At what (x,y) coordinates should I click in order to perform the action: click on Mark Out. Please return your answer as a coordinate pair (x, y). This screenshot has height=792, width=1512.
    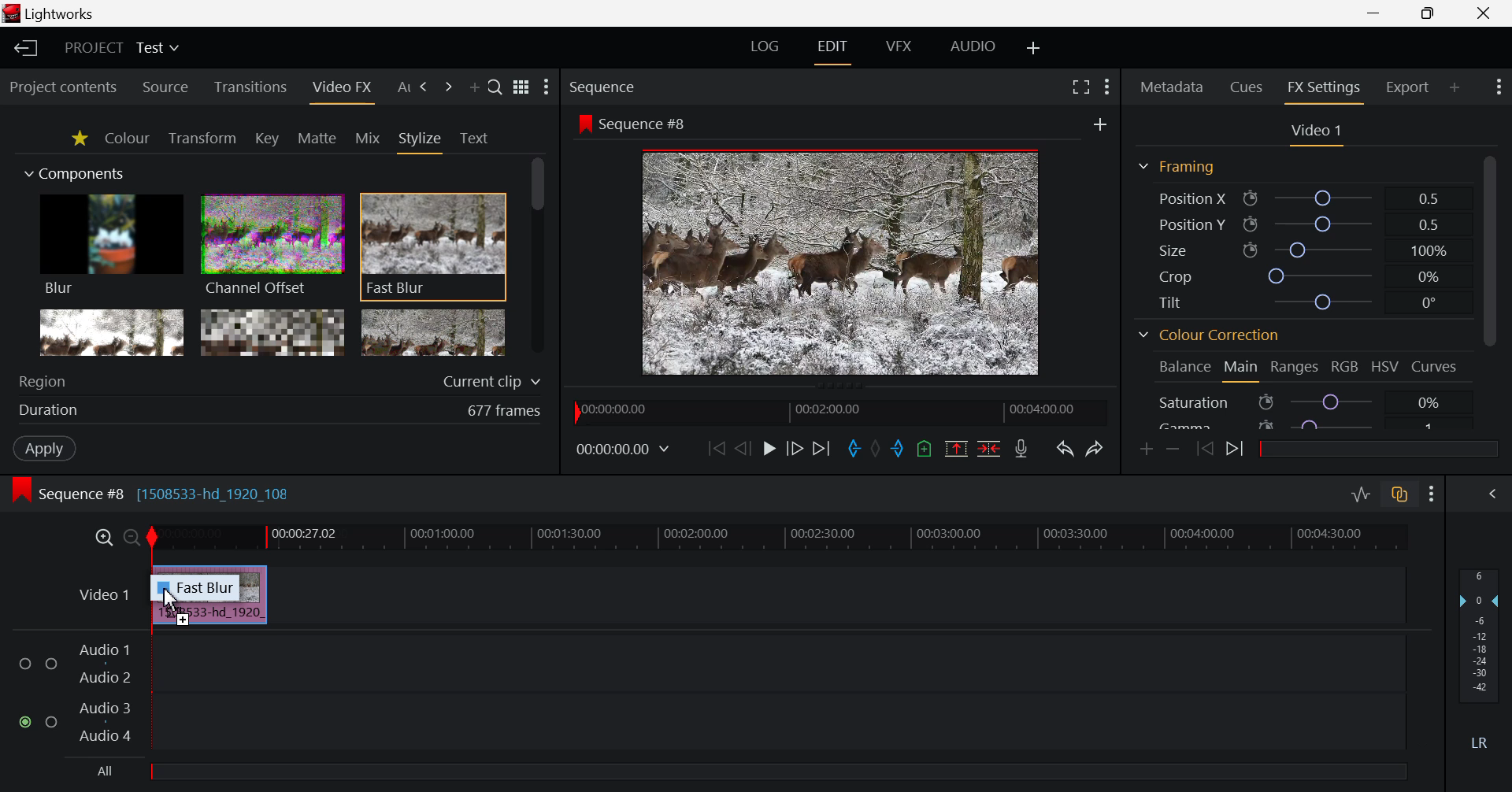
    Looking at the image, I should click on (896, 450).